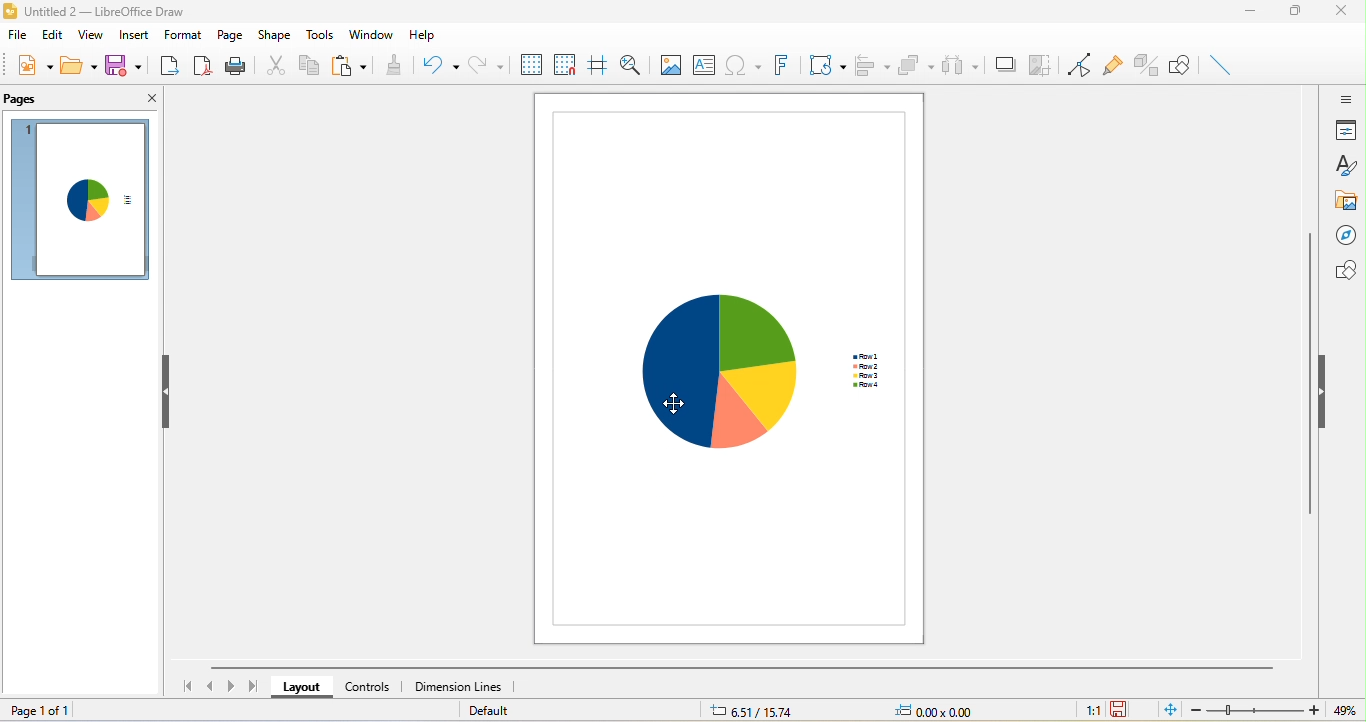 The width and height of the screenshot is (1366, 722). I want to click on helplines while moving, so click(599, 64).